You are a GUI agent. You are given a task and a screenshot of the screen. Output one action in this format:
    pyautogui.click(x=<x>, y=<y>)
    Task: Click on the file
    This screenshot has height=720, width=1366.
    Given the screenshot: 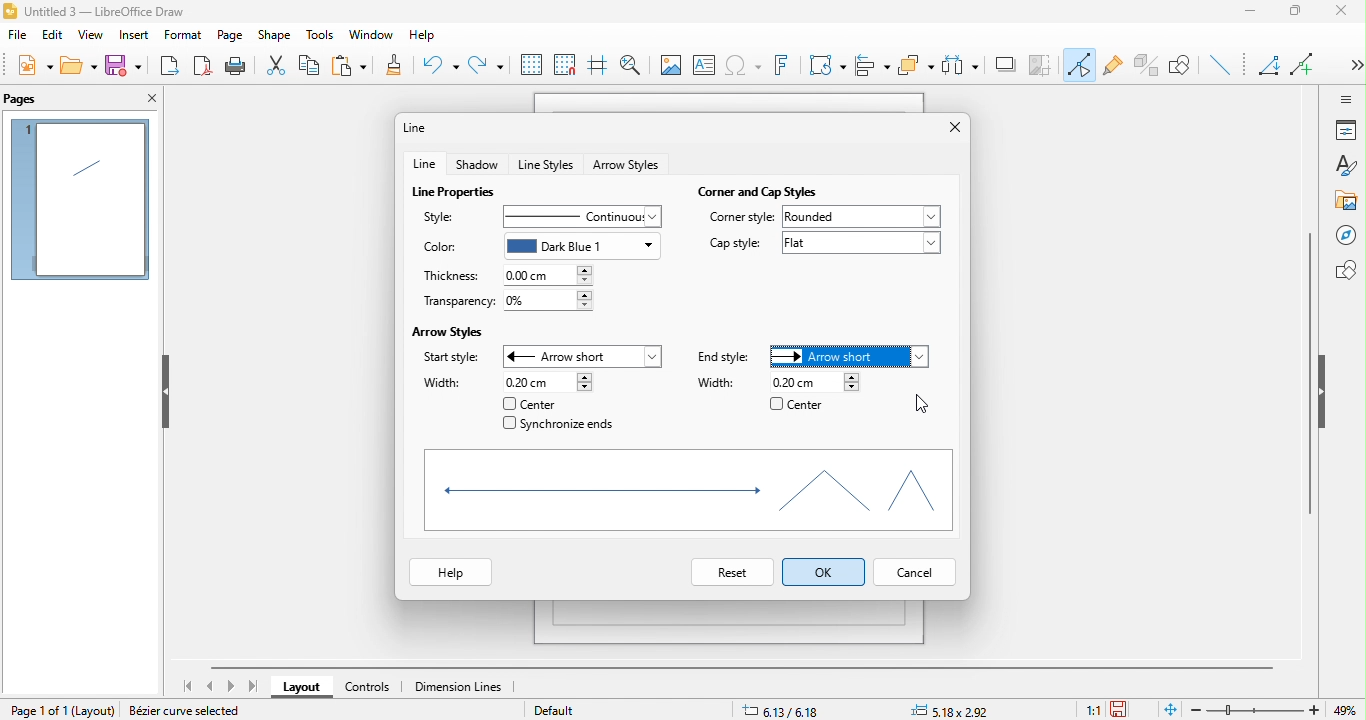 What is the action you would take?
    pyautogui.click(x=21, y=38)
    